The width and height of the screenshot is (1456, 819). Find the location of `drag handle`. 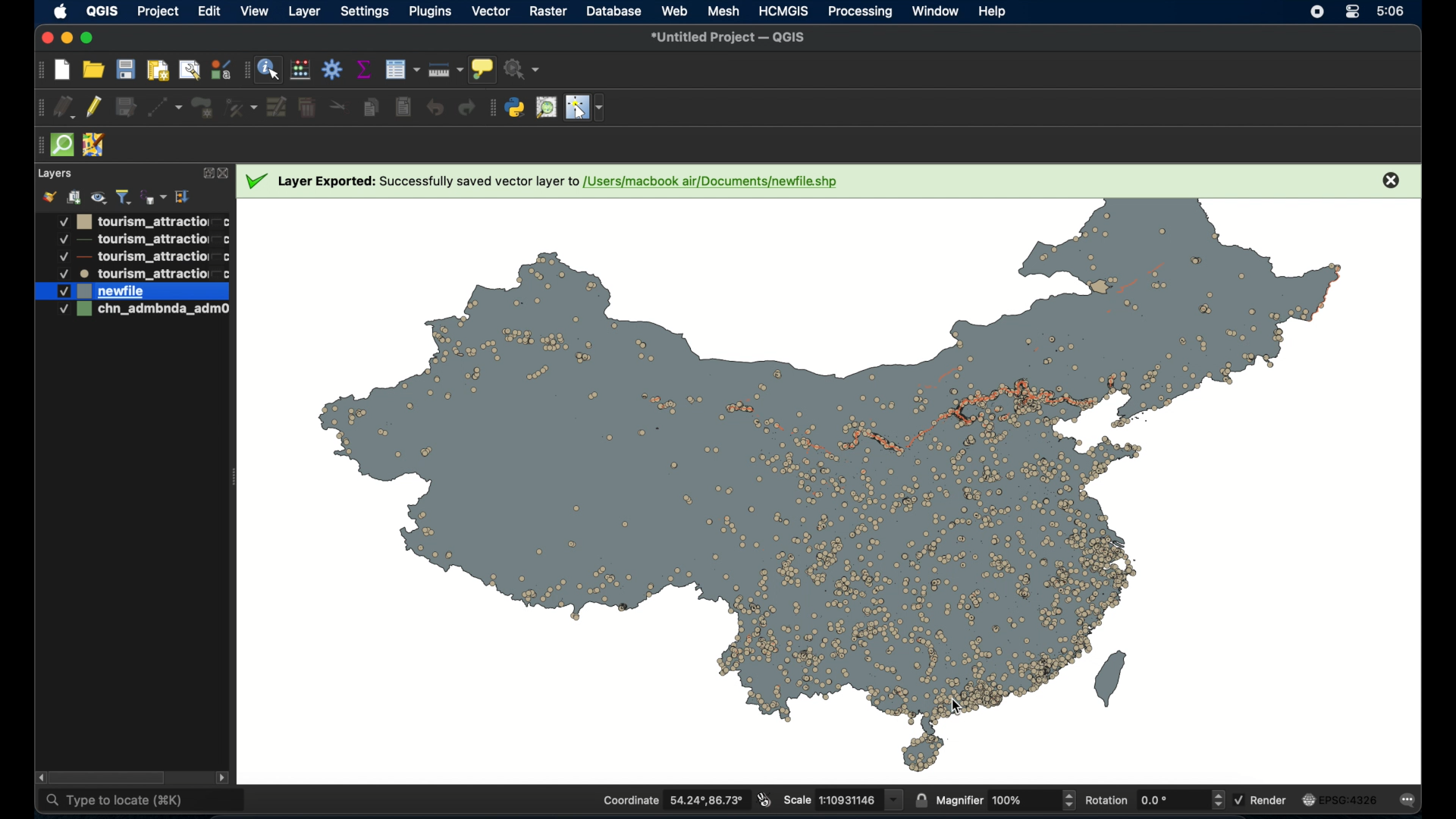

drag handle is located at coordinates (245, 70).